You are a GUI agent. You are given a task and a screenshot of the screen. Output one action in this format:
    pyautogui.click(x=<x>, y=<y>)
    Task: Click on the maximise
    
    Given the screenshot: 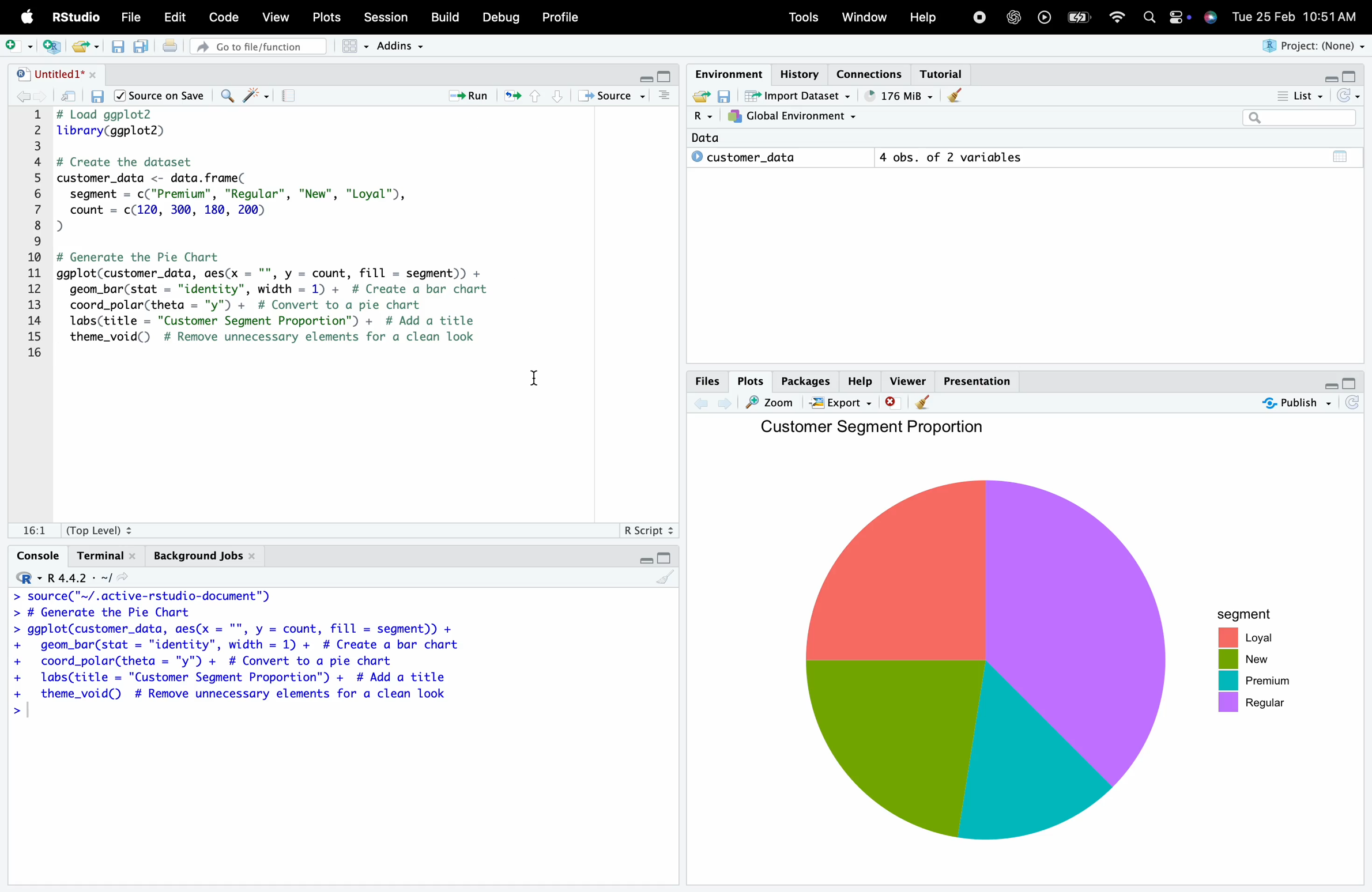 What is the action you would take?
    pyautogui.click(x=1352, y=78)
    